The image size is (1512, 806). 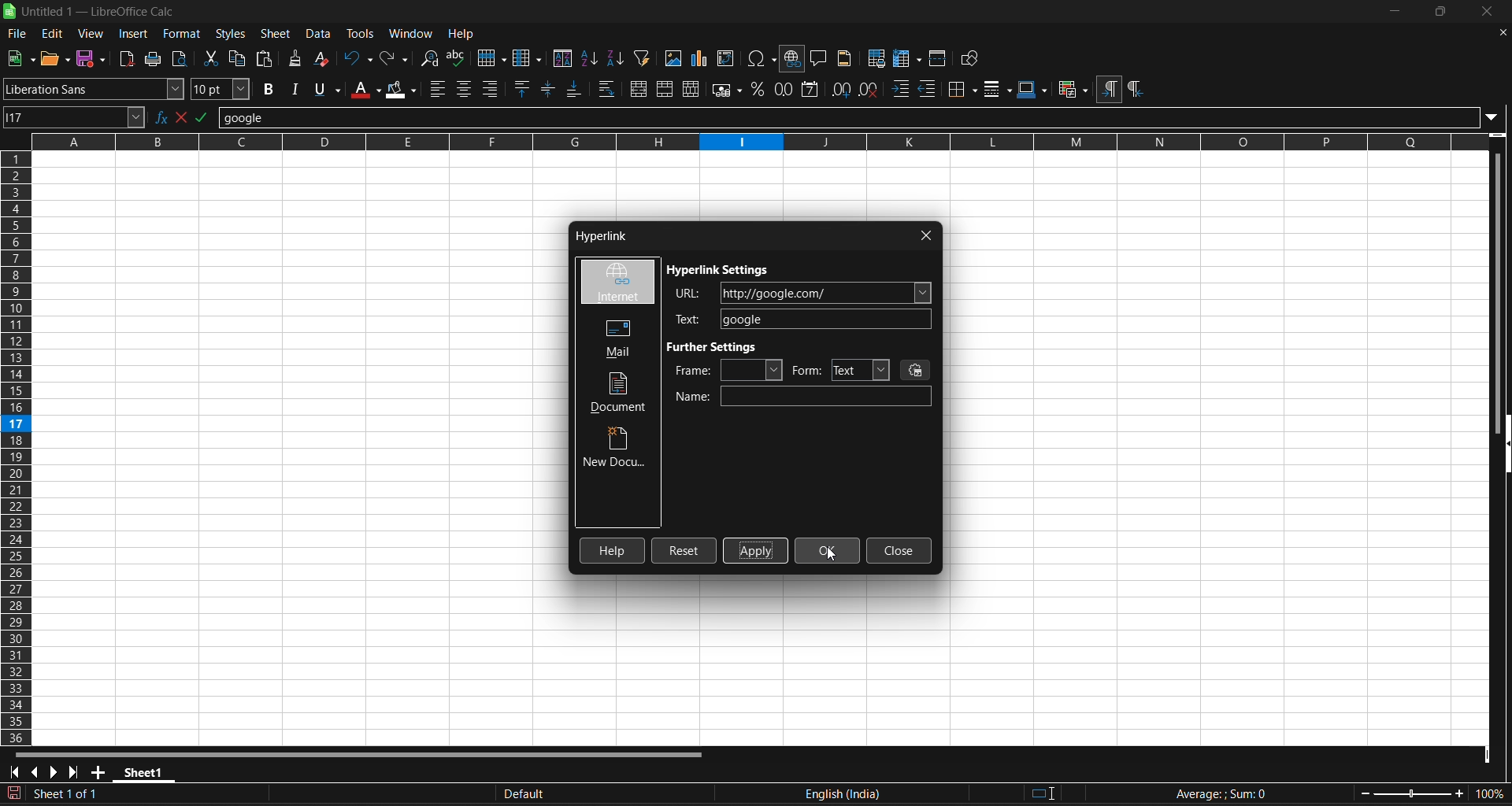 I want to click on close document, so click(x=1502, y=33).